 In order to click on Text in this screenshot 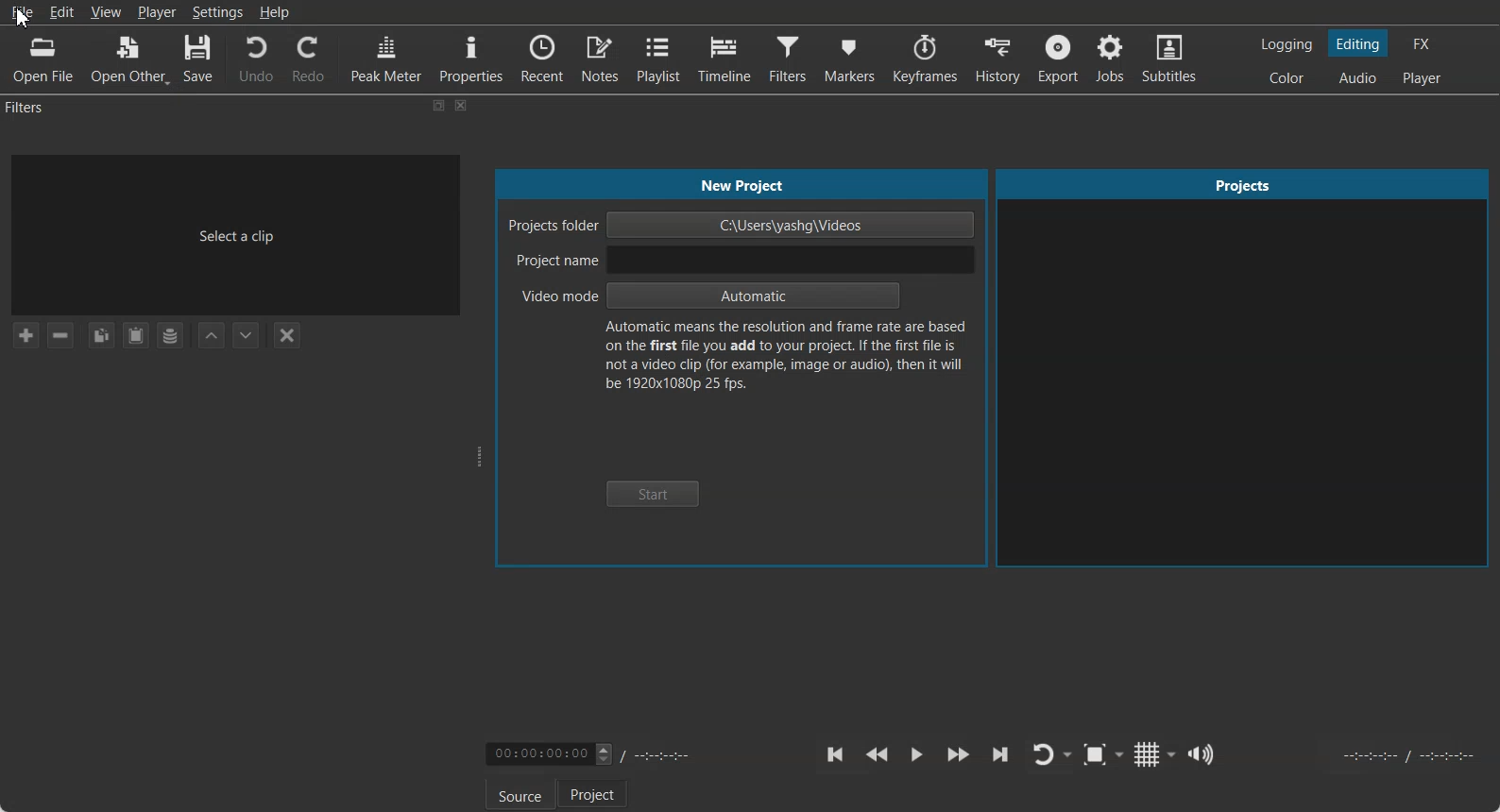, I will do `click(783, 355)`.